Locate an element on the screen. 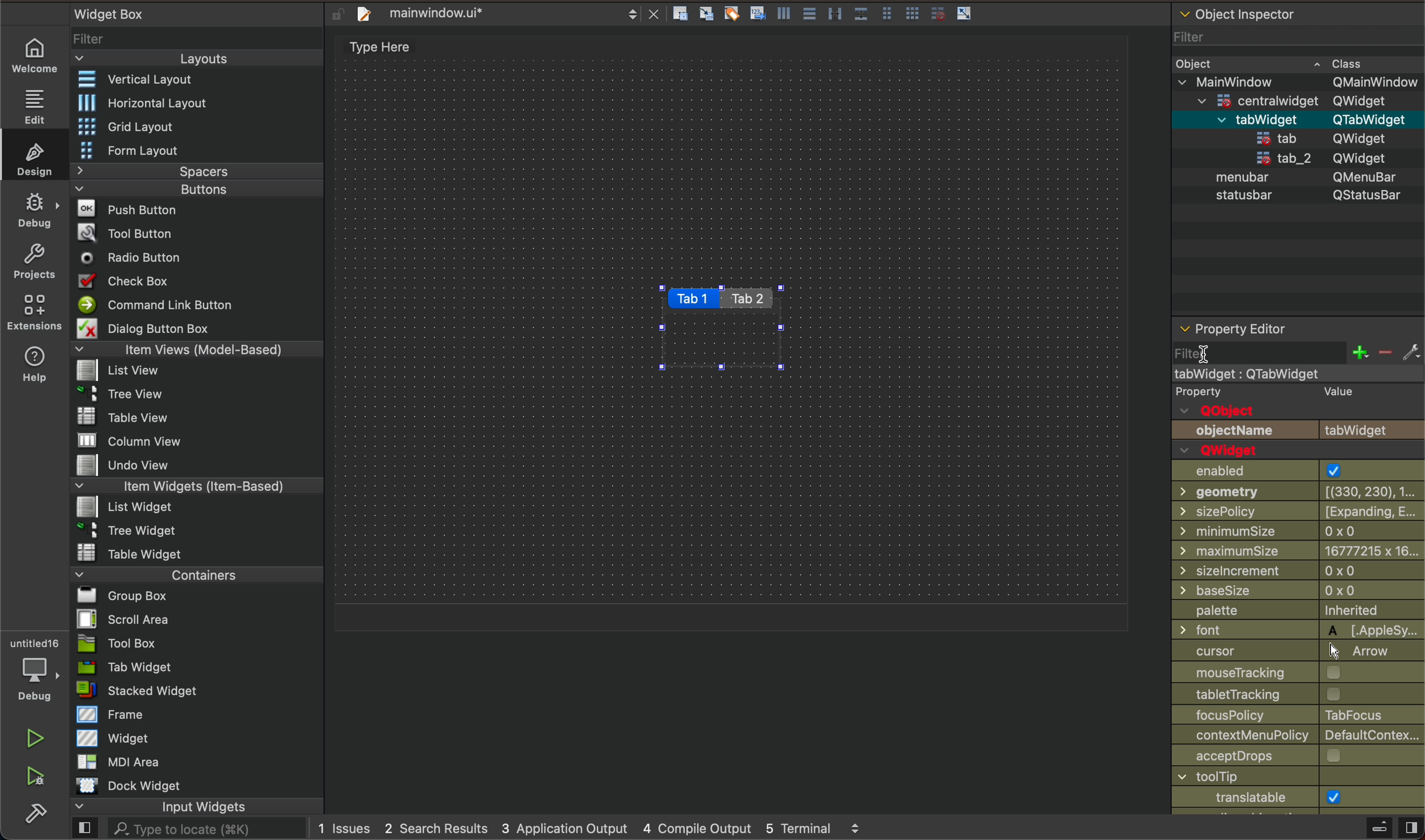 Image resolution: width=1425 pixels, height=840 pixels. Table Widget is located at coordinates (123, 552).